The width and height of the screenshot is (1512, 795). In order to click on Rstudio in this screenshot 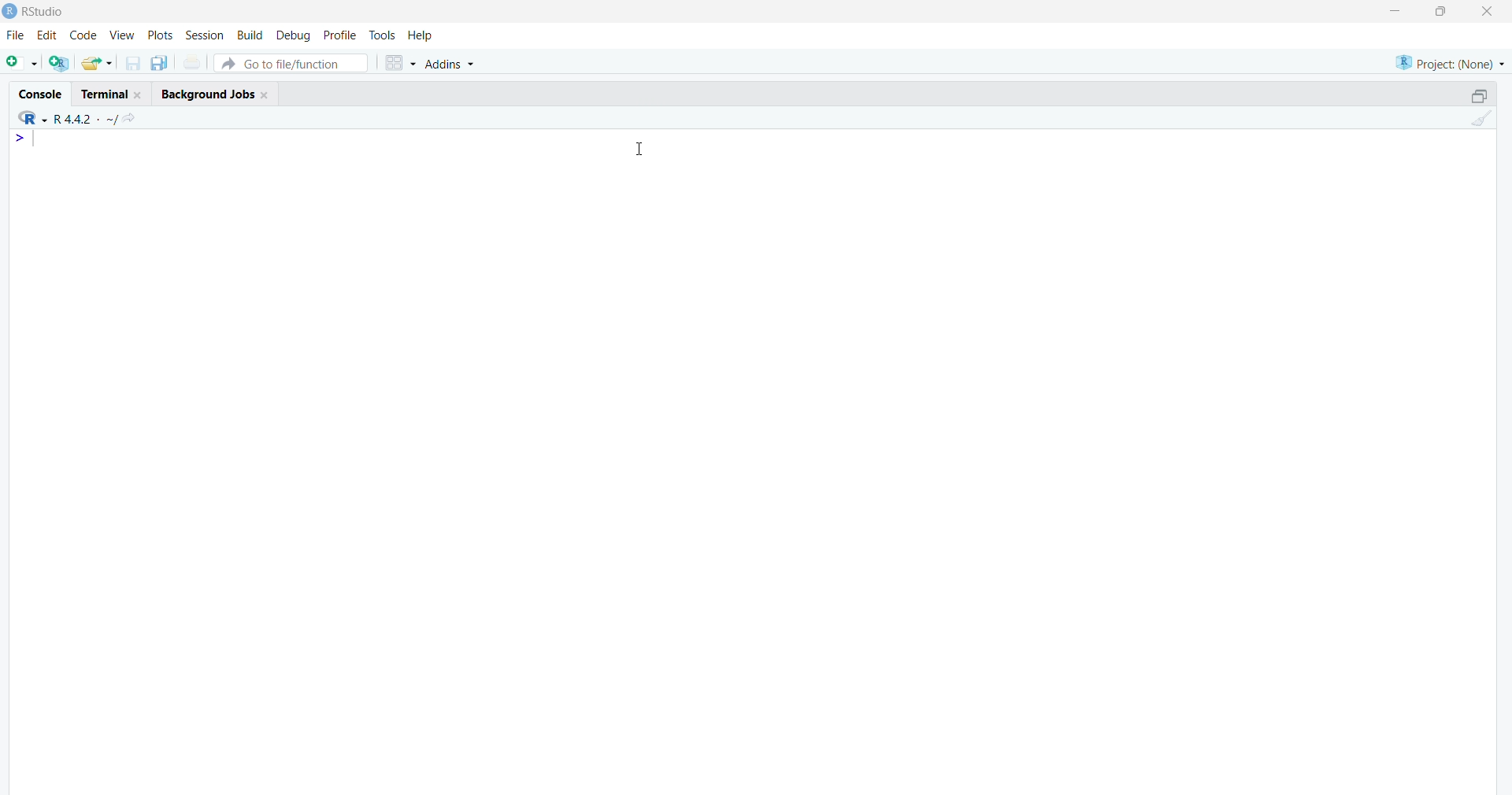, I will do `click(48, 12)`.